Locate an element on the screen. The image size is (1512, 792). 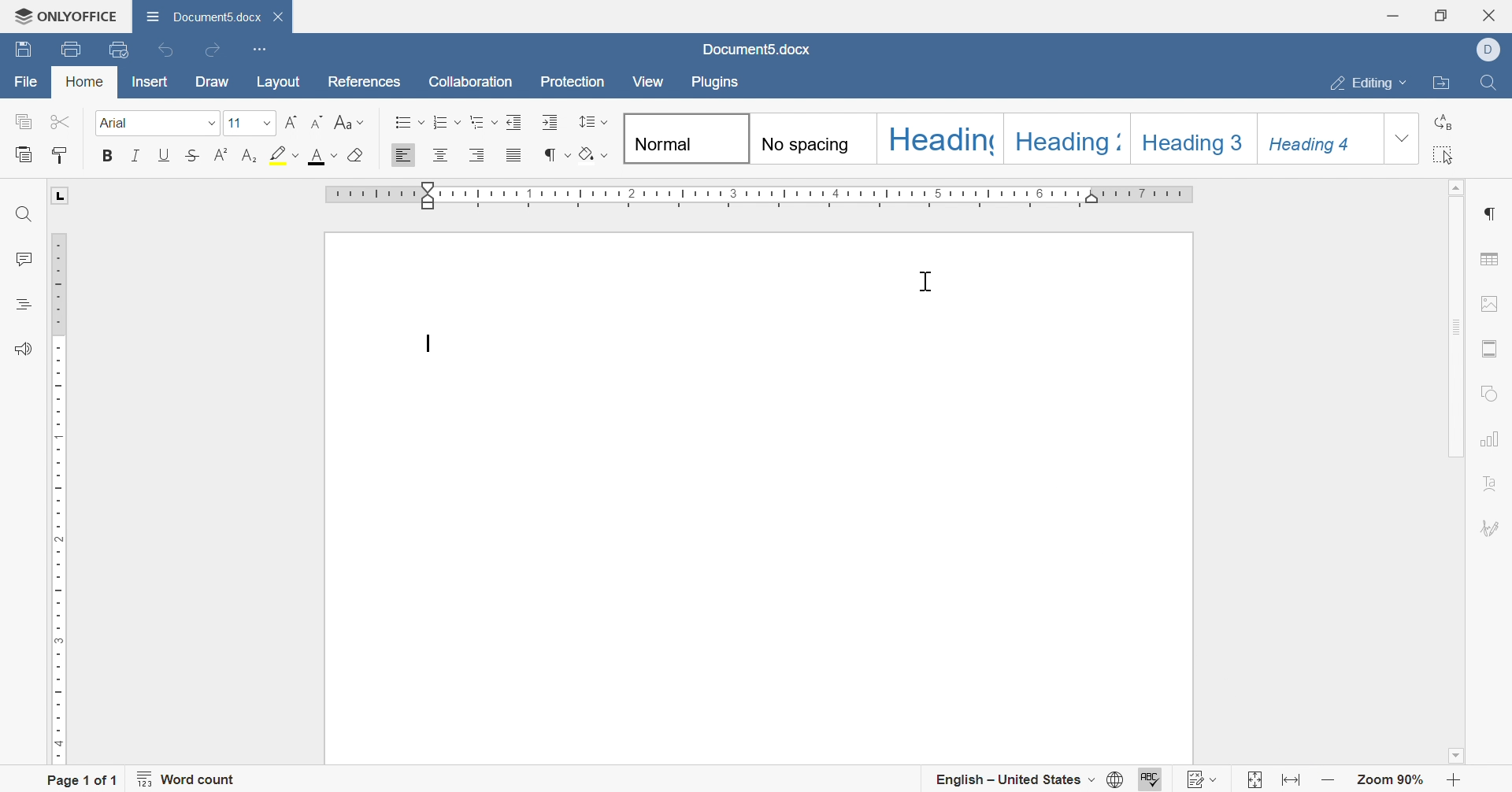
No spacing is located at coordinates (810, 137).